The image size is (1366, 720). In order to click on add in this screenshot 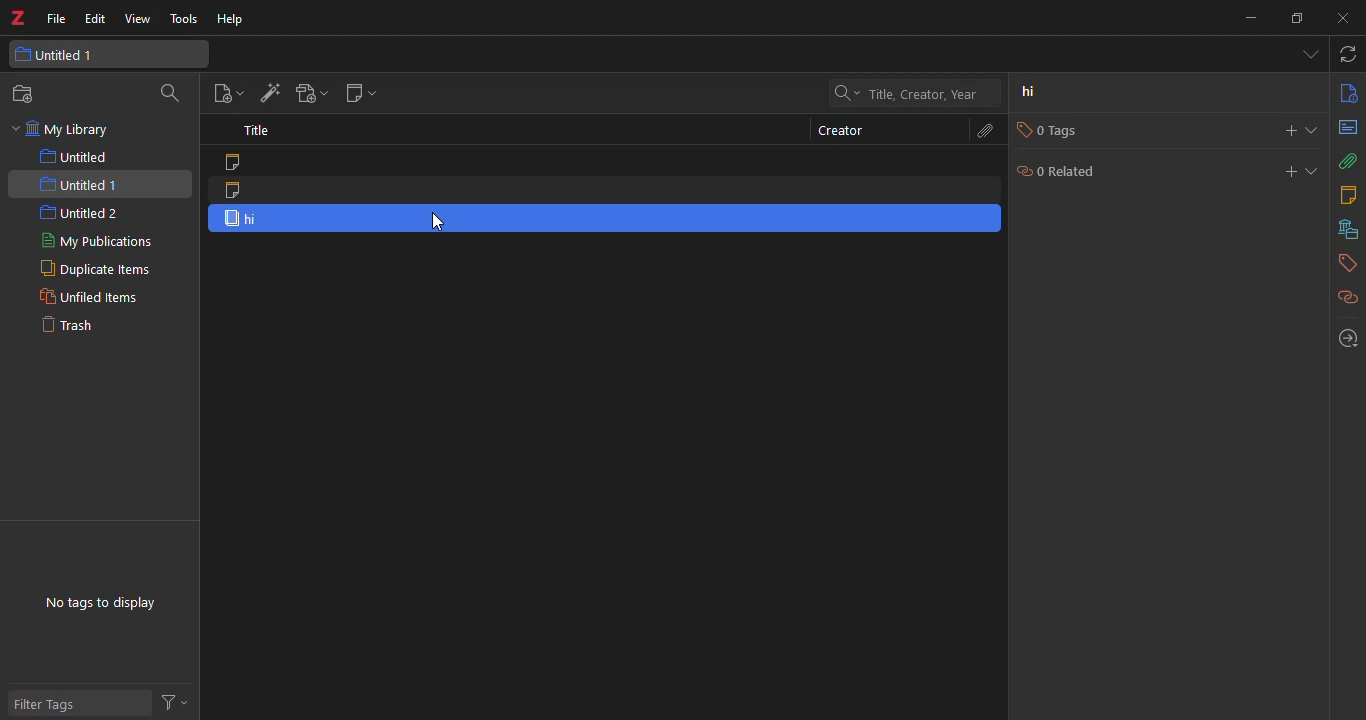, I will do `click(1290, 171)`.